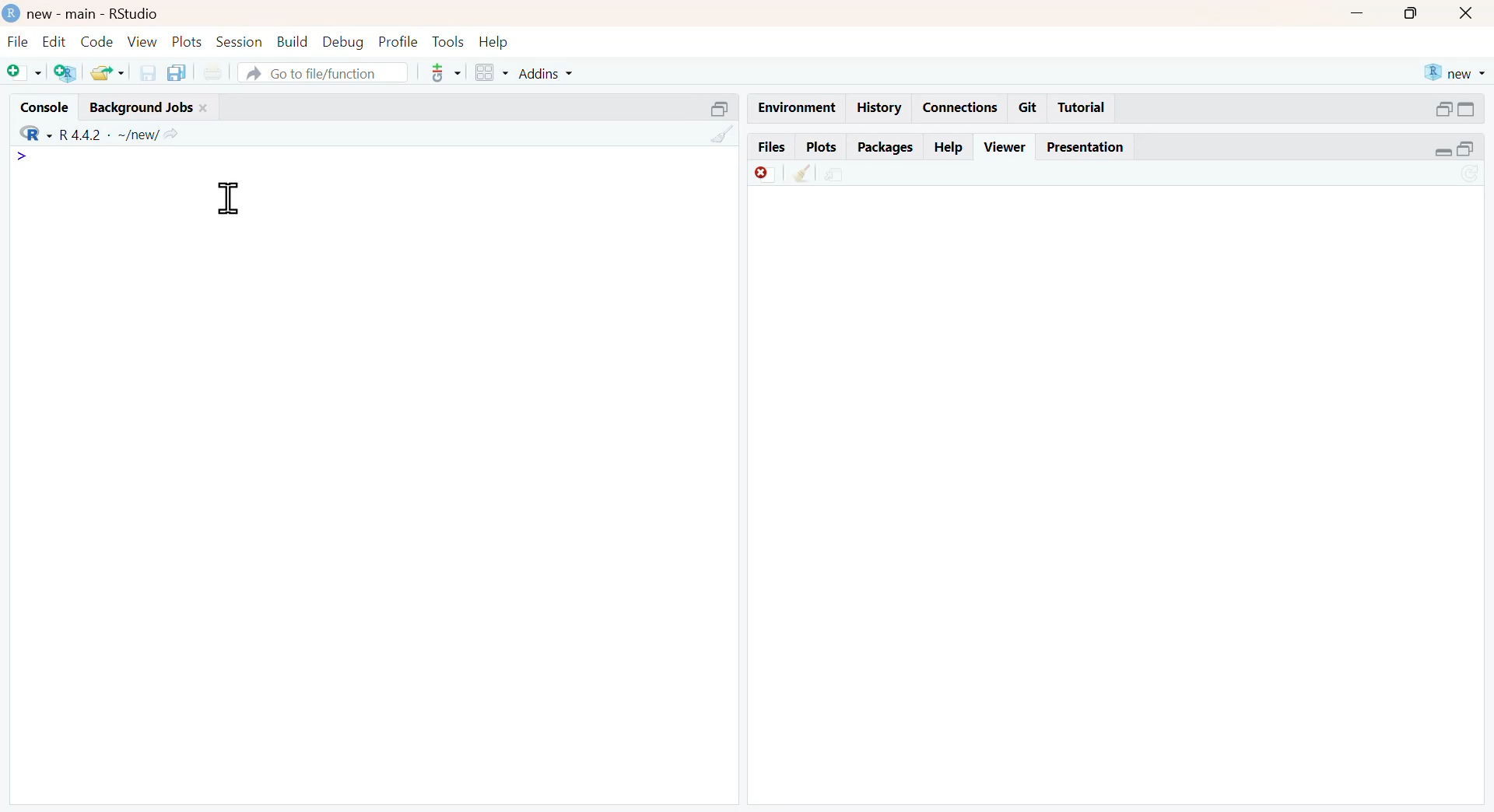  I want to click on enviornment, so click(798, 107).